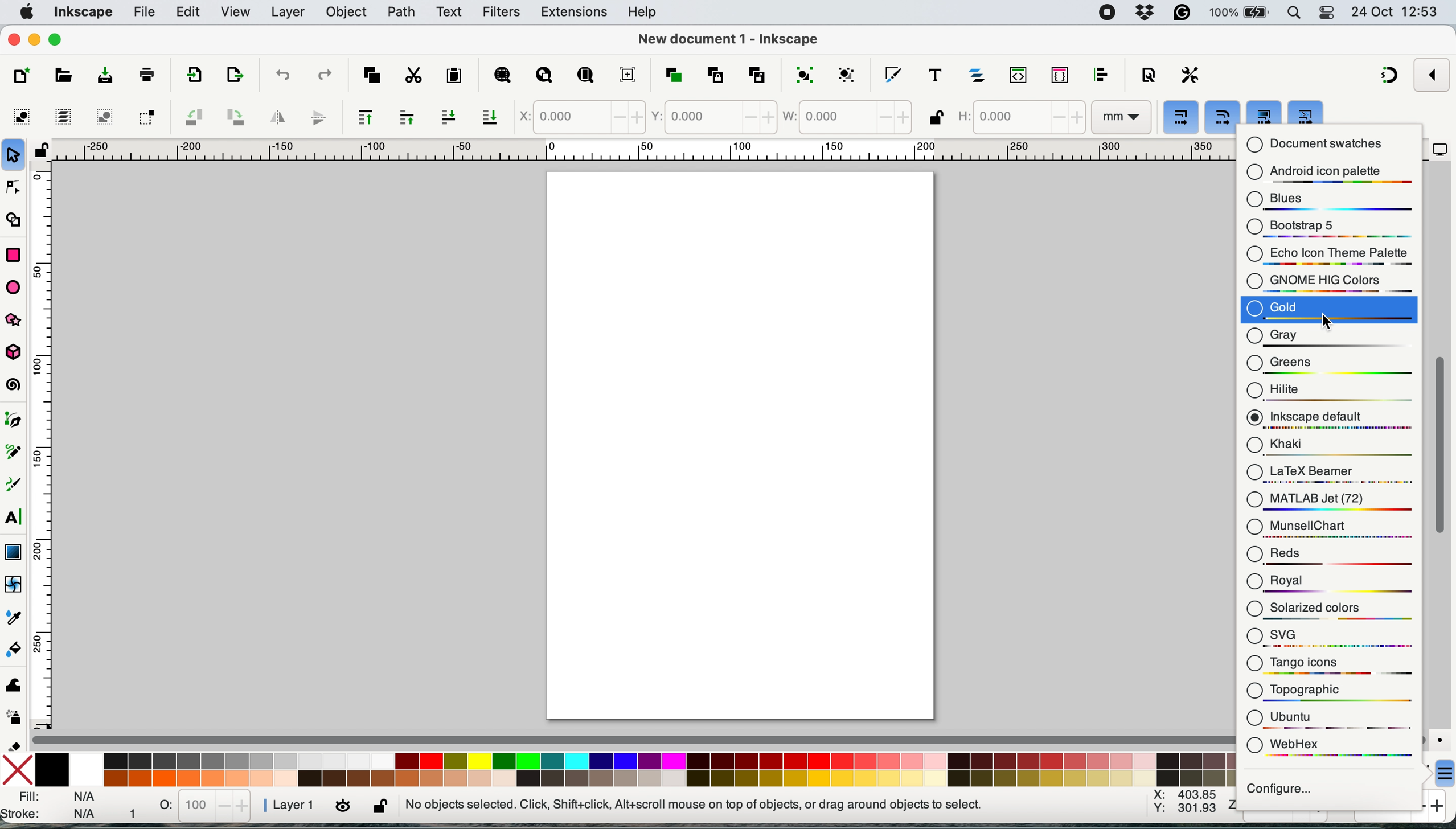 The height and width of the screenshot is (829, 1456). What do you see at coordinates (628, 72) in the screenshot?
I see `zoom center page` at bounding box center [628, 72].